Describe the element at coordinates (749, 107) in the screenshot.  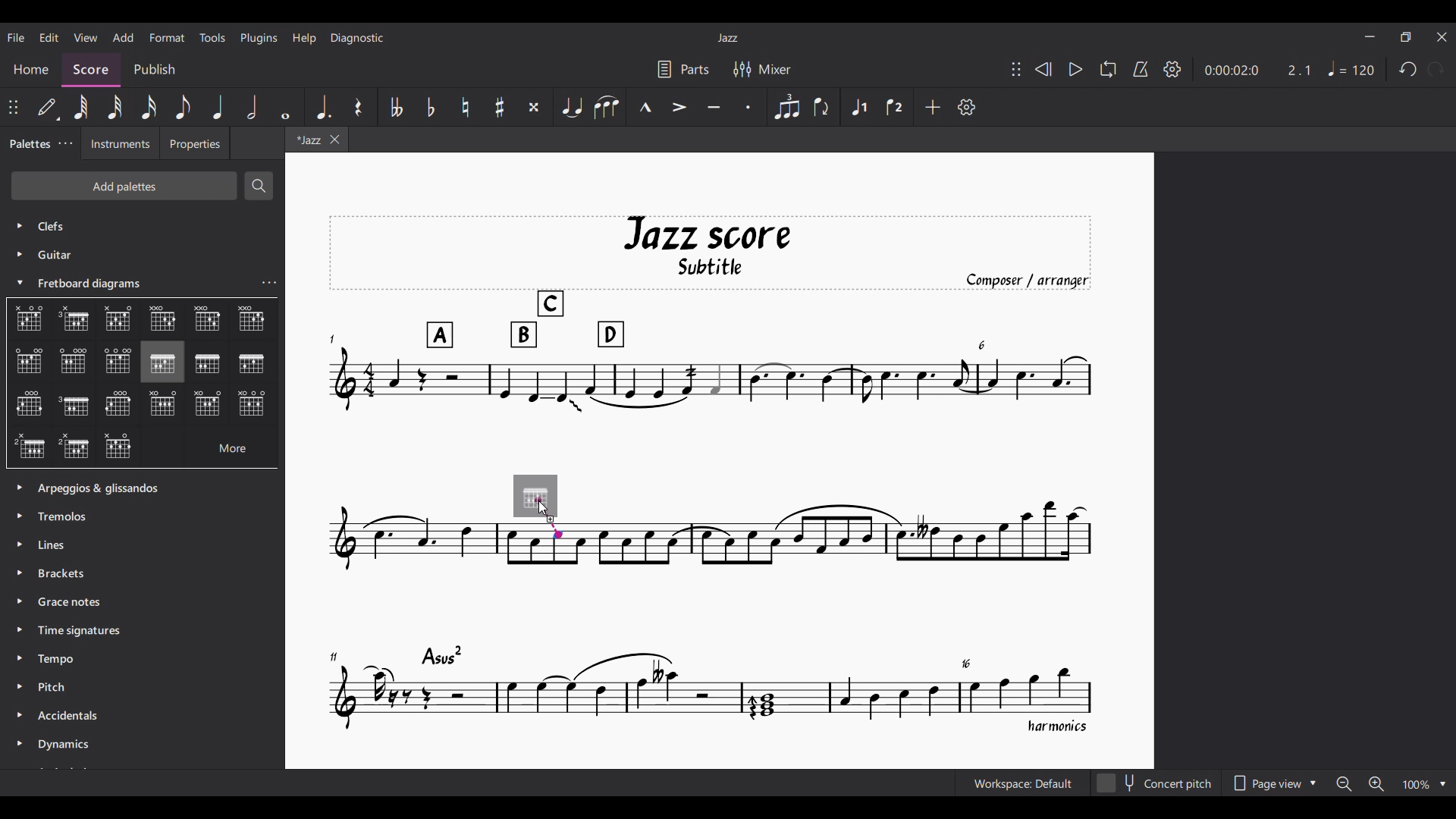
I see `Staccato` at that location.